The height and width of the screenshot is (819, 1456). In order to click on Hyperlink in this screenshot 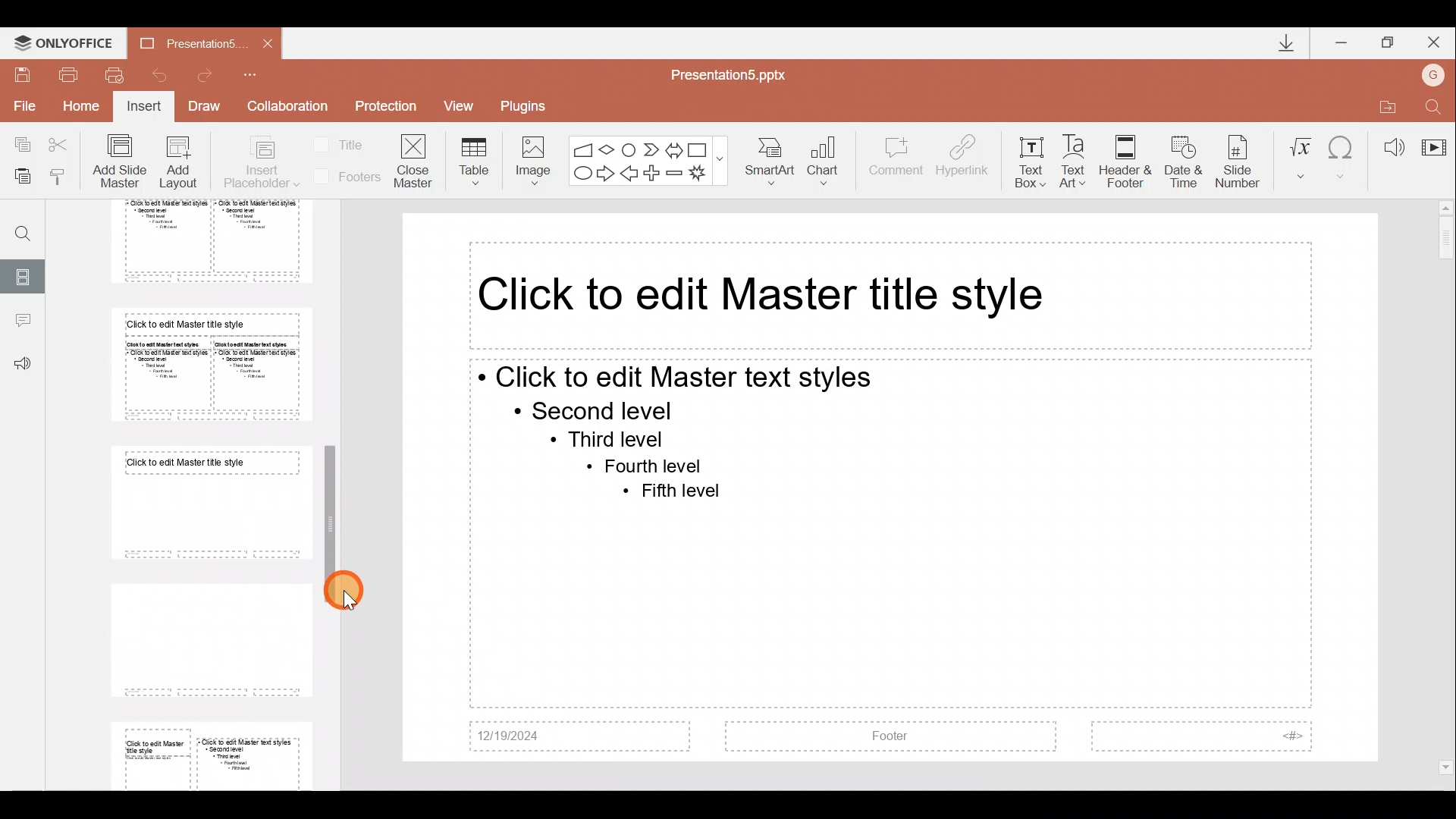, I will do `click(964, 158)`.